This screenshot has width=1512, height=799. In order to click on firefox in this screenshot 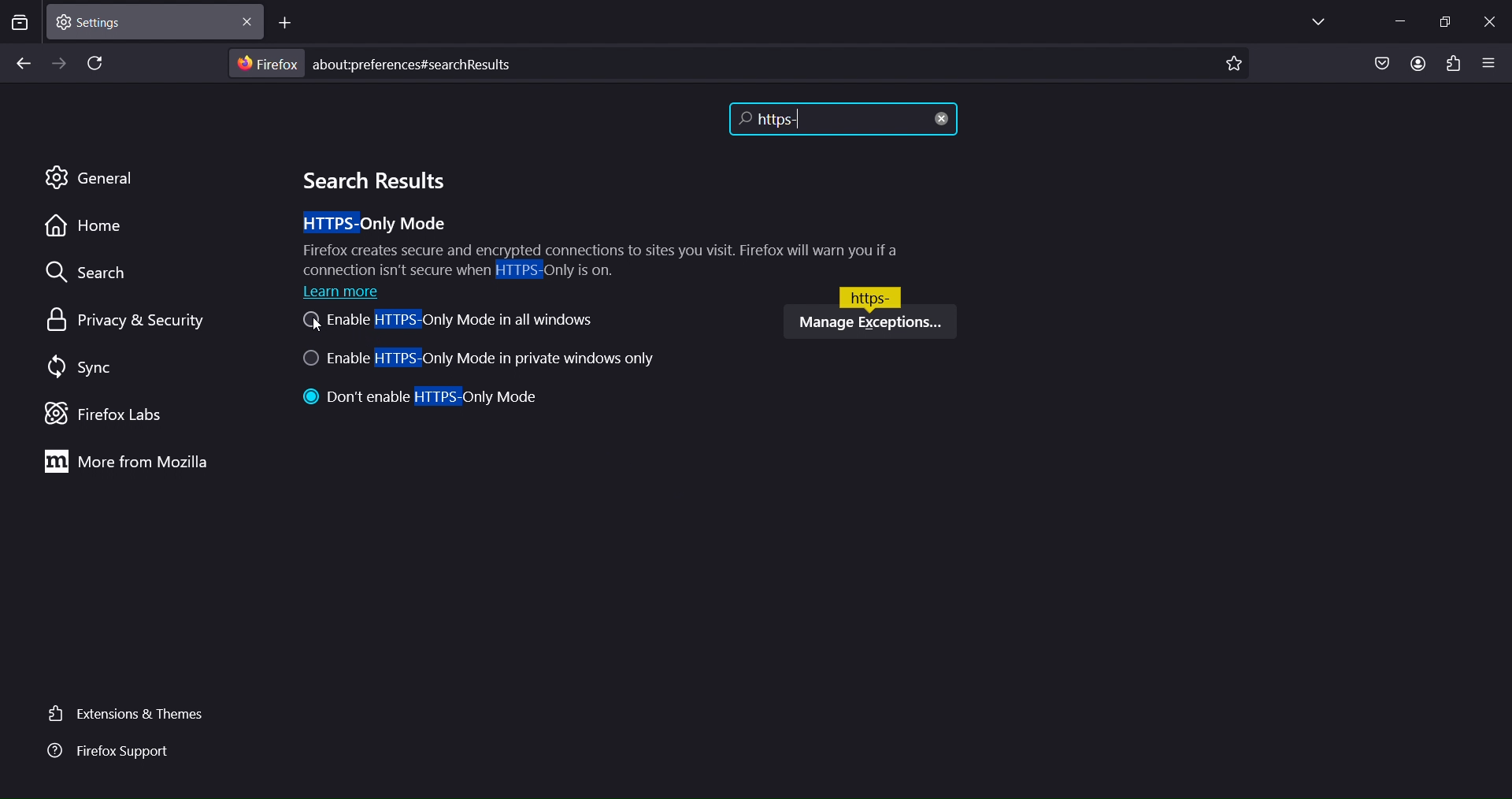, I will do `click(265, 63)`.